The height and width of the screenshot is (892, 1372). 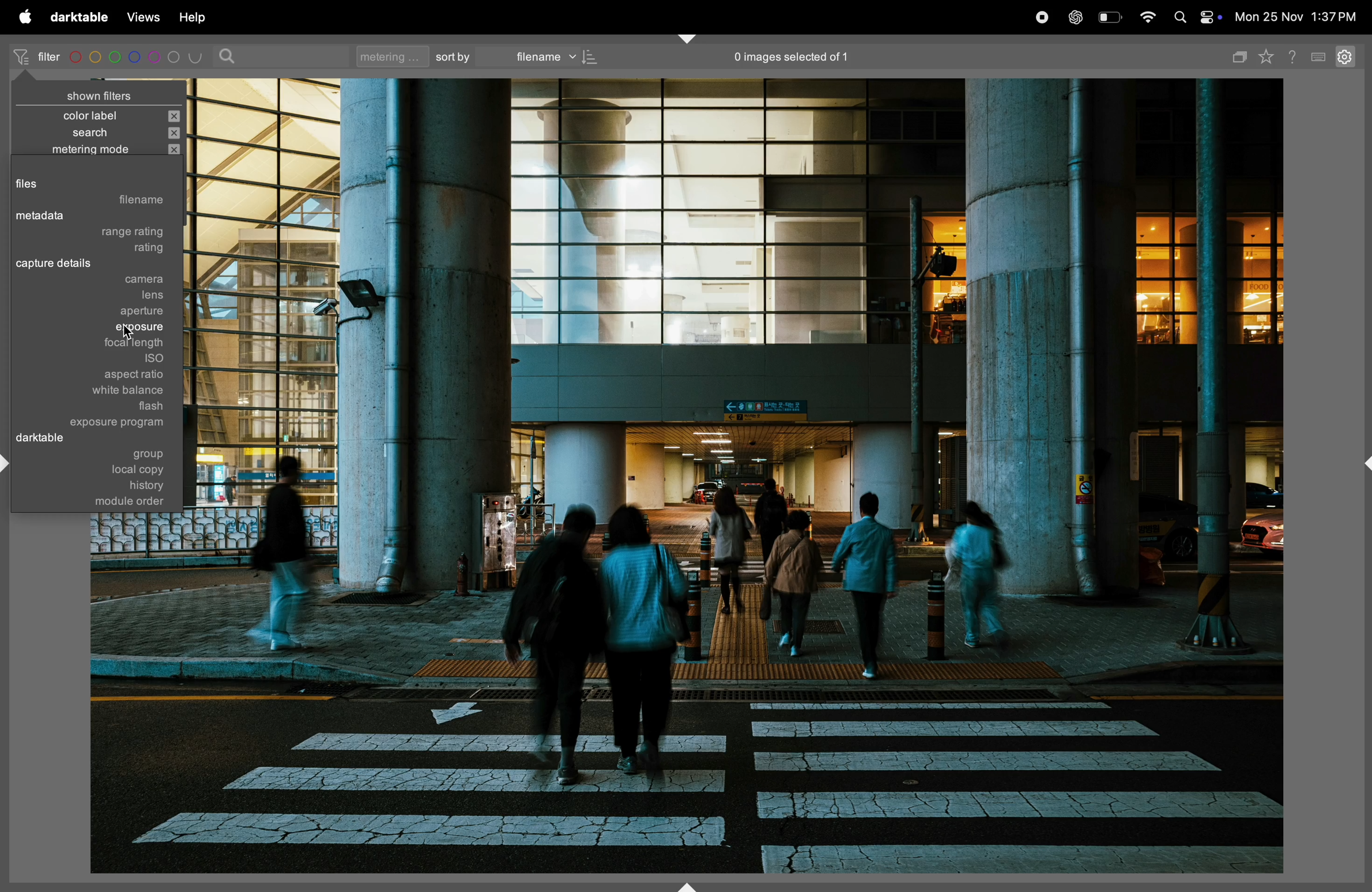 What do you see at coordinates (125, 505) in the screenshot?
I see `module order` at bounding box center [125, 505].